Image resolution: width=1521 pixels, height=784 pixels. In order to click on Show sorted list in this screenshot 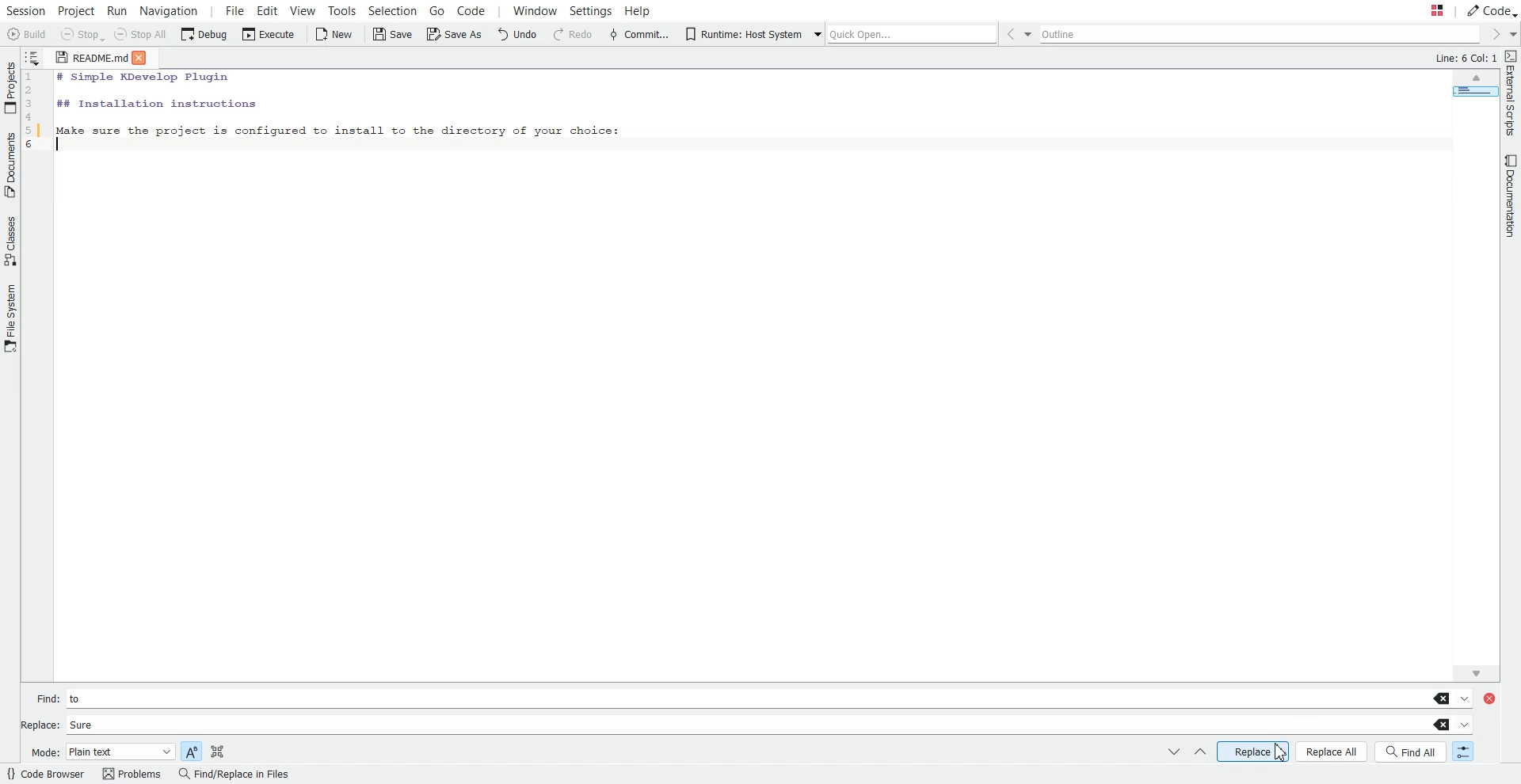, I will do `click(33, 56)`.